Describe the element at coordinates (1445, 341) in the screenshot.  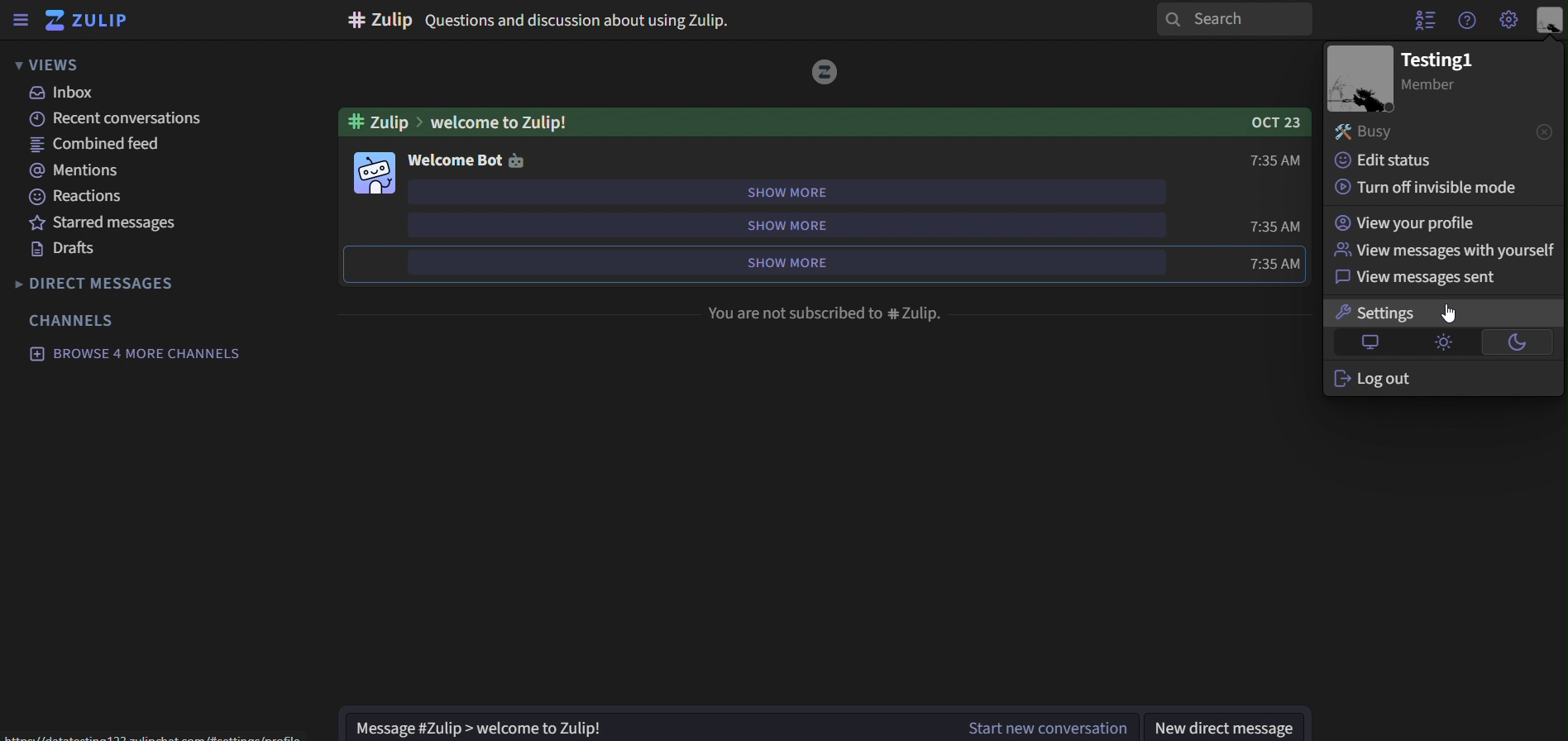
I see `light theme` at that location.